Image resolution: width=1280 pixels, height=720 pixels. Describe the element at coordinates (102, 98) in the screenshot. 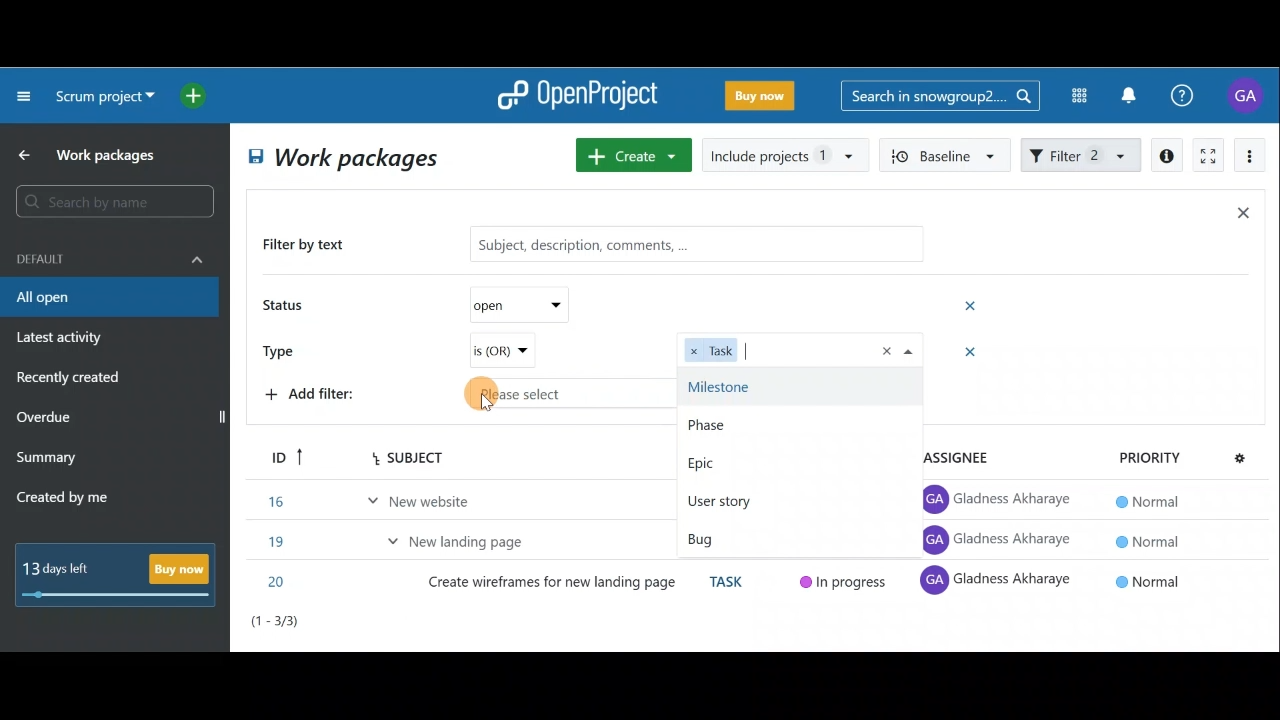

I see `Project name` at that location.